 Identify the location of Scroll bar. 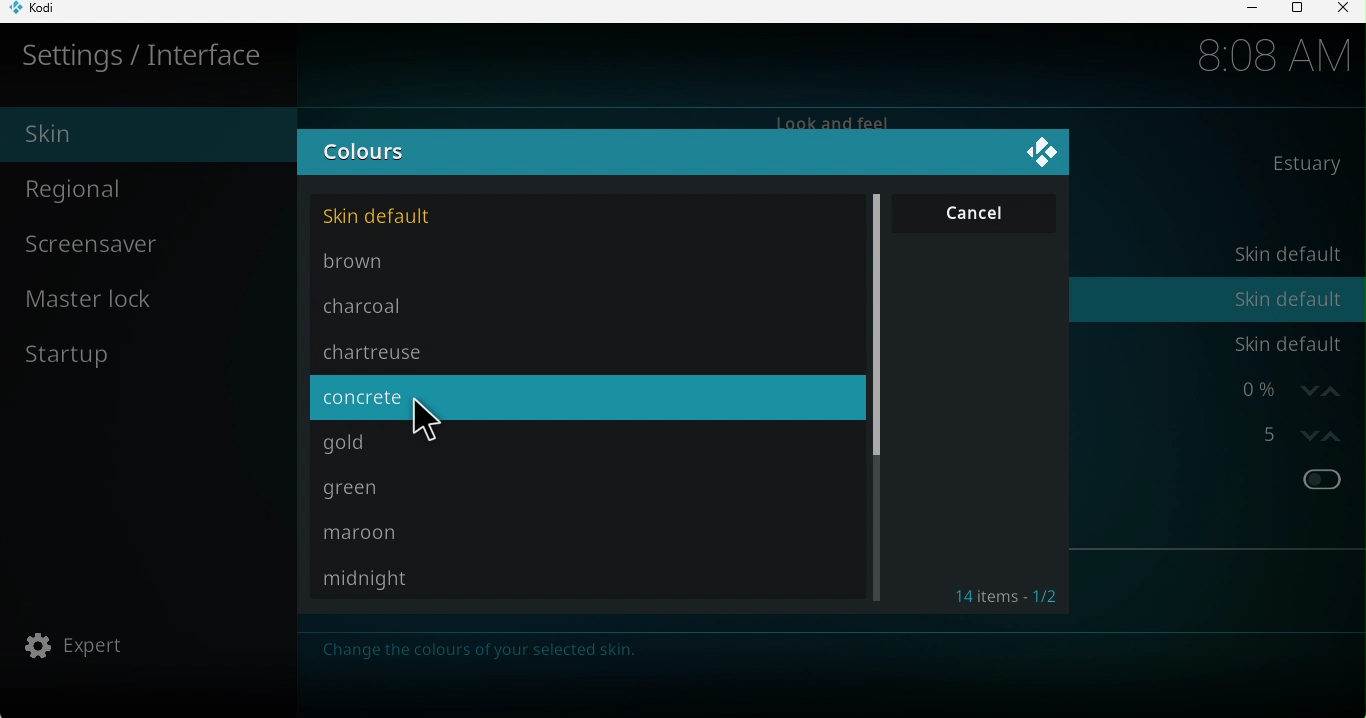
(879, 394).